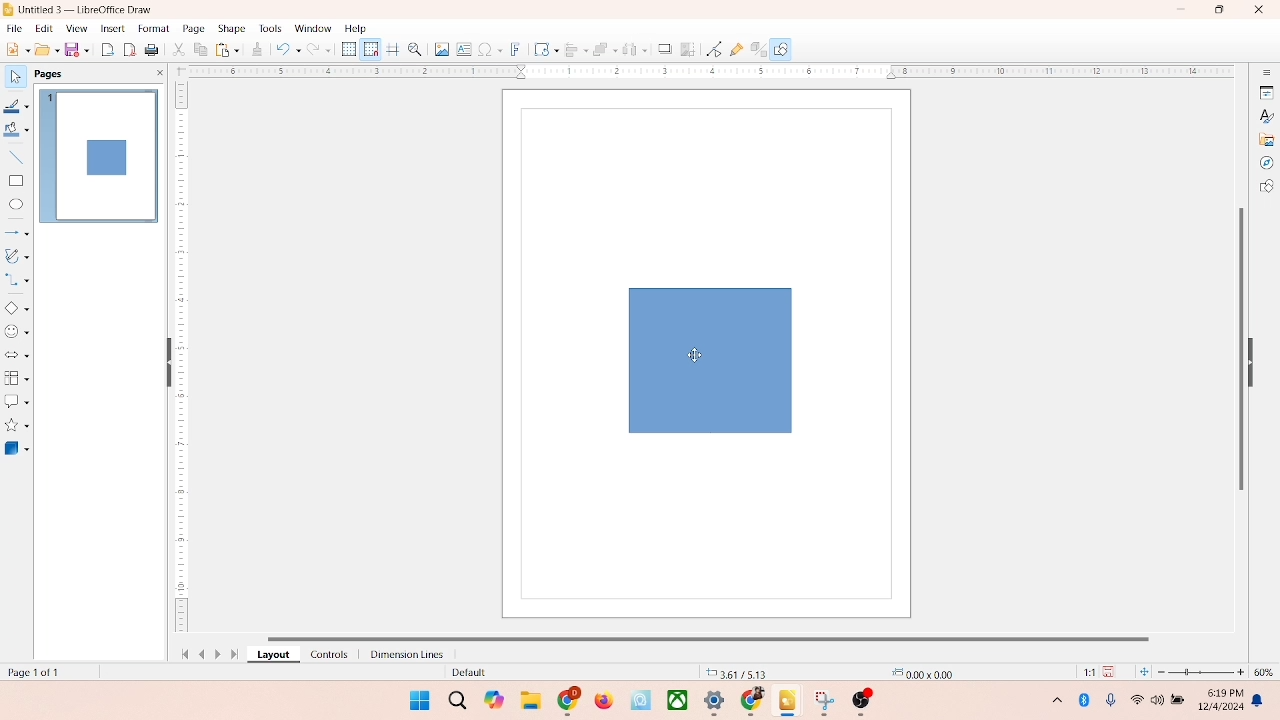 Image resolution: width=1280 pixels, height=720 pixels. Describe the element at coordinates (154, 51) in the screenshot. I see `print` at that location.